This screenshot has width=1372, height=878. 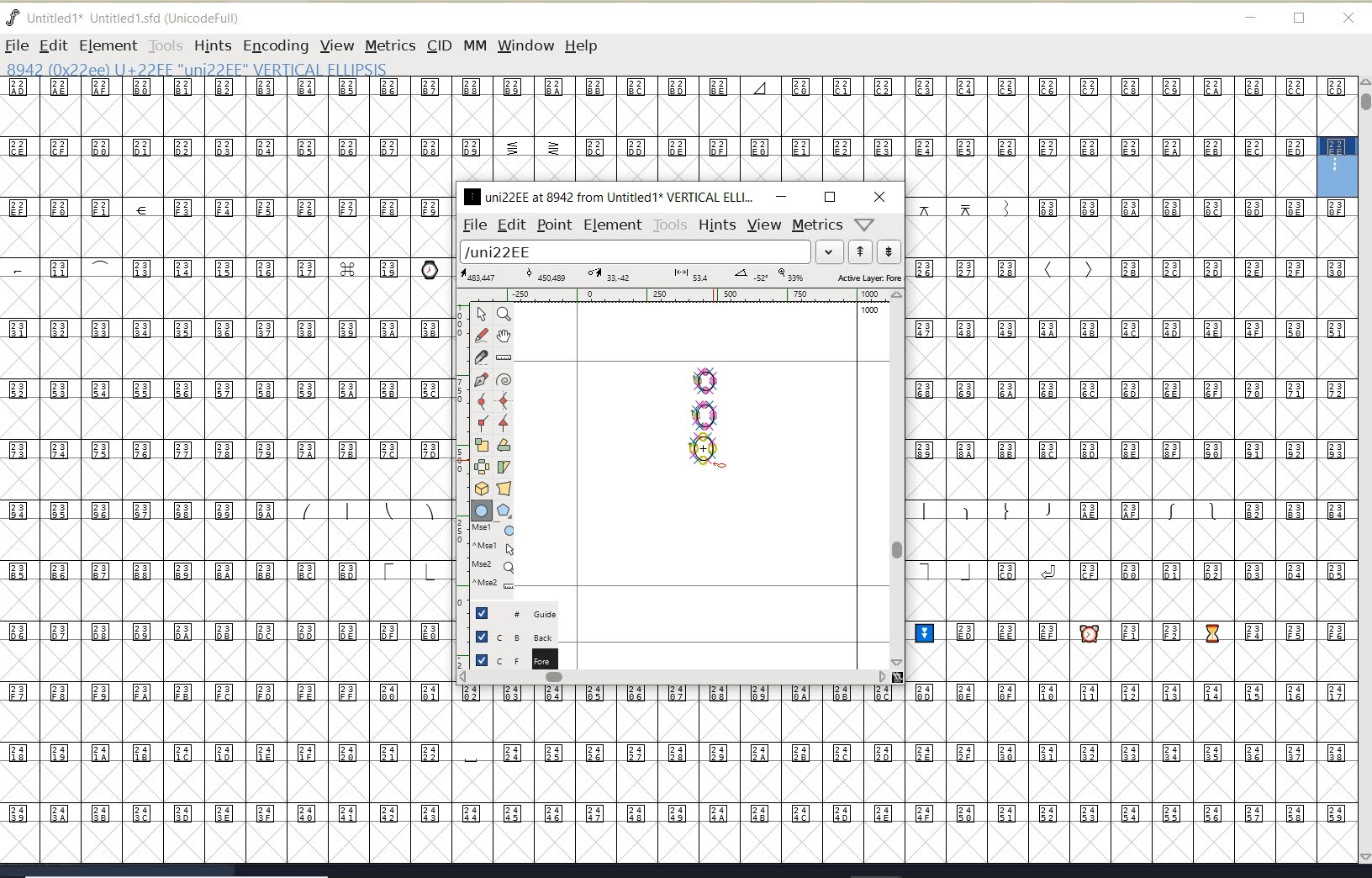 I want to click on CID, so click(x=438, y=45).